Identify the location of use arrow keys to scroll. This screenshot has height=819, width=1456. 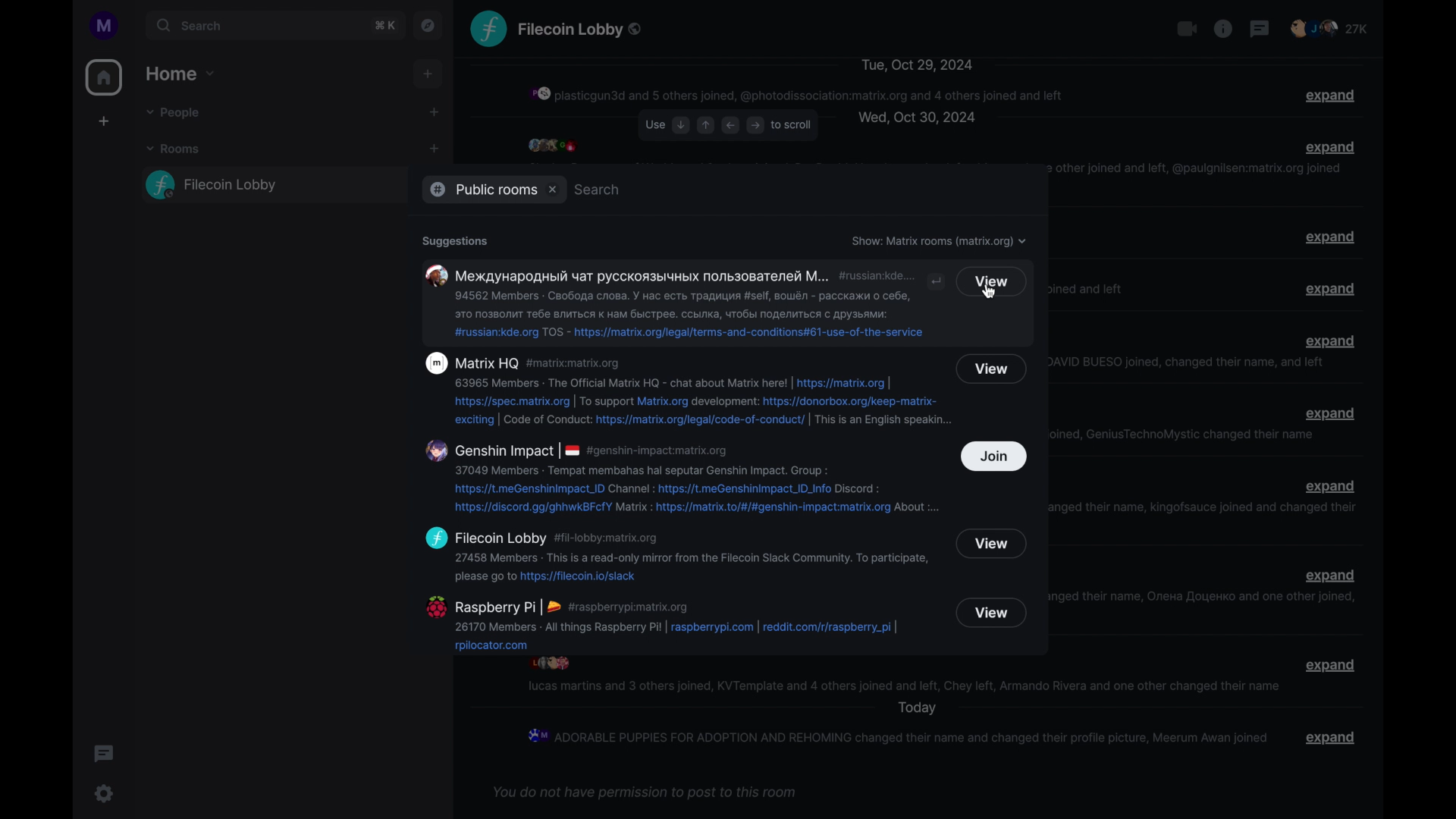
(728, 126).